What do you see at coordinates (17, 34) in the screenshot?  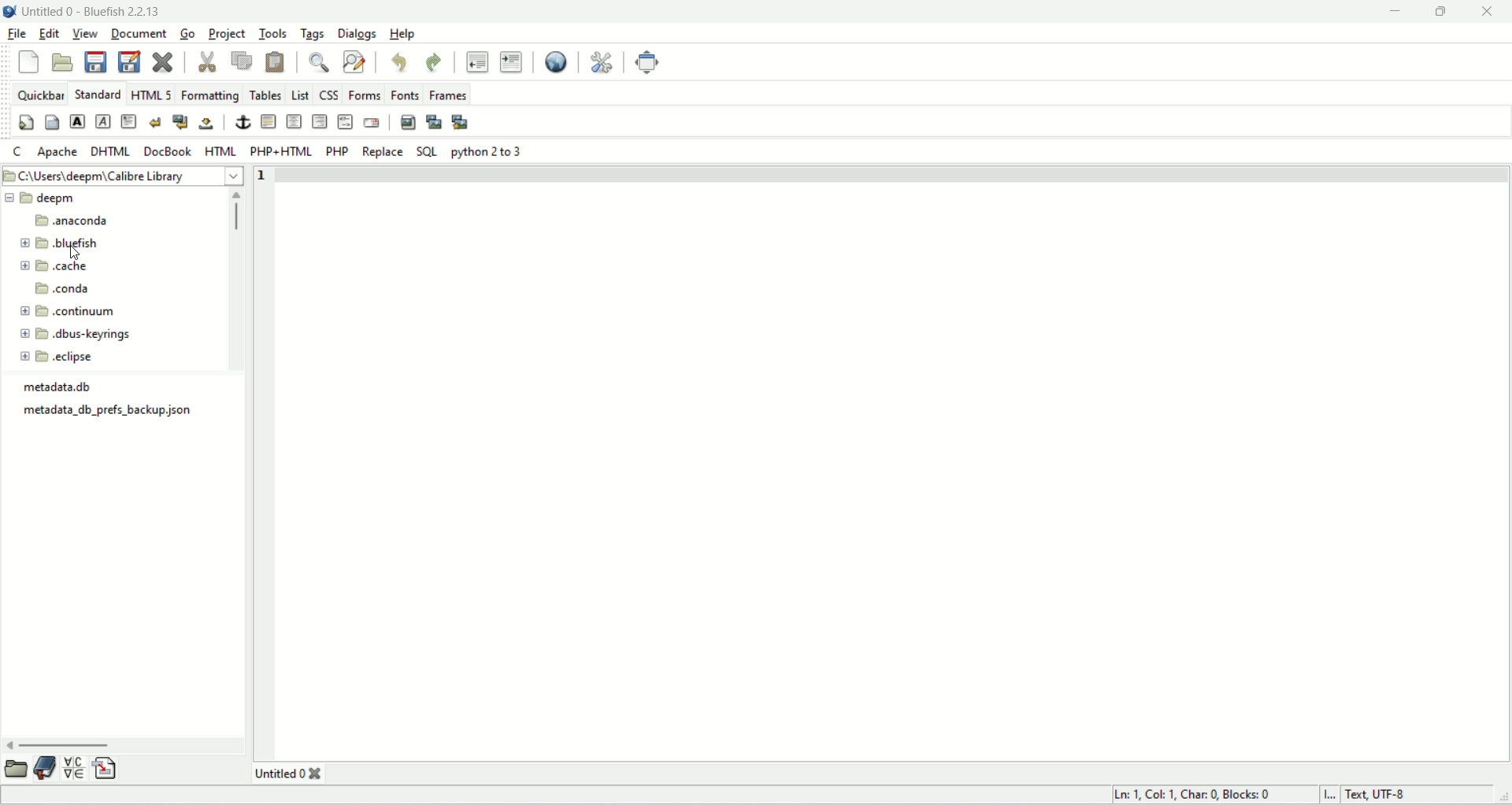 I see `file` at bounding box center [17, 34].